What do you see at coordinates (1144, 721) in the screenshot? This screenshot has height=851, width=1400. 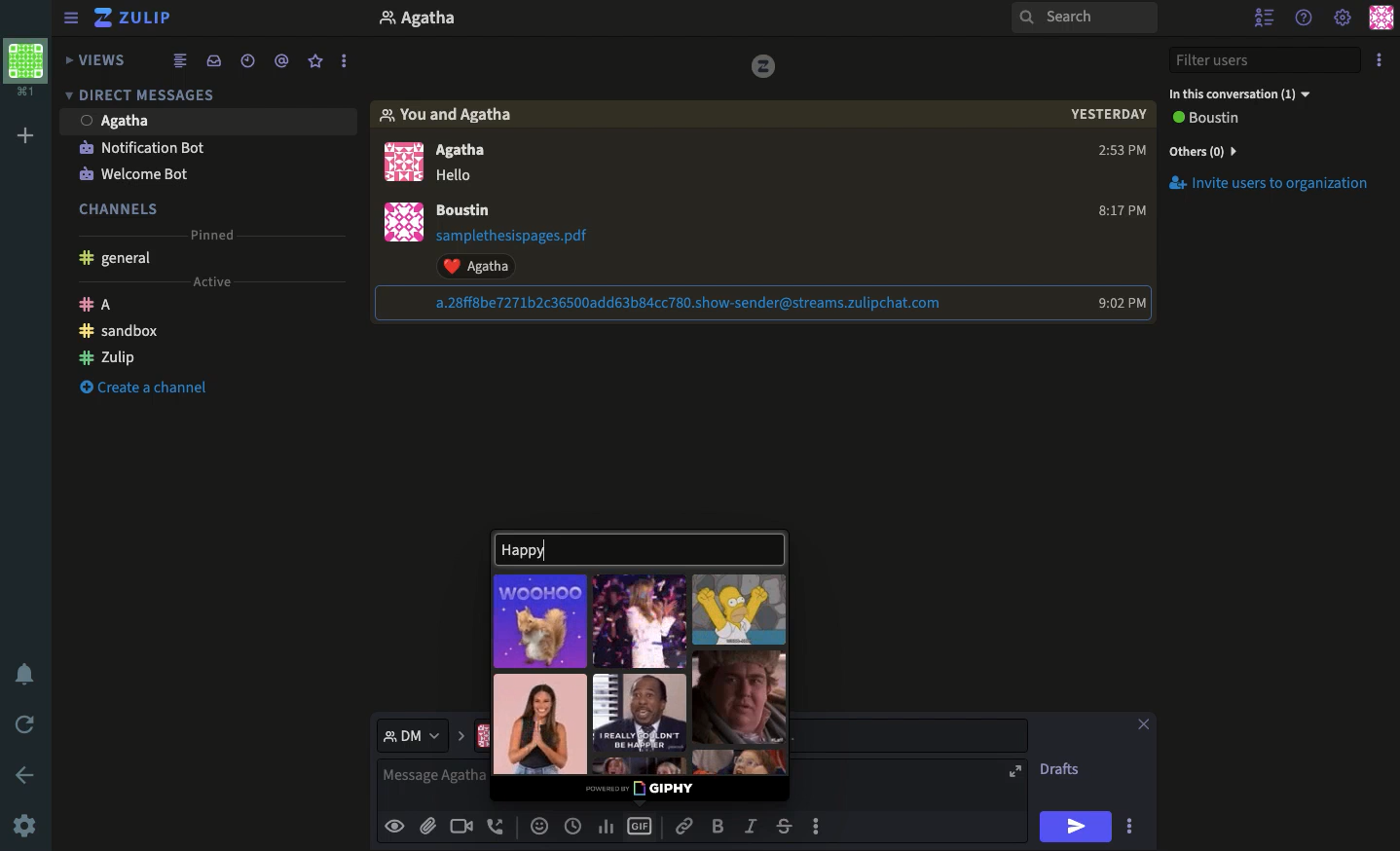 I see `Close` at bounding box center [1144, 721].